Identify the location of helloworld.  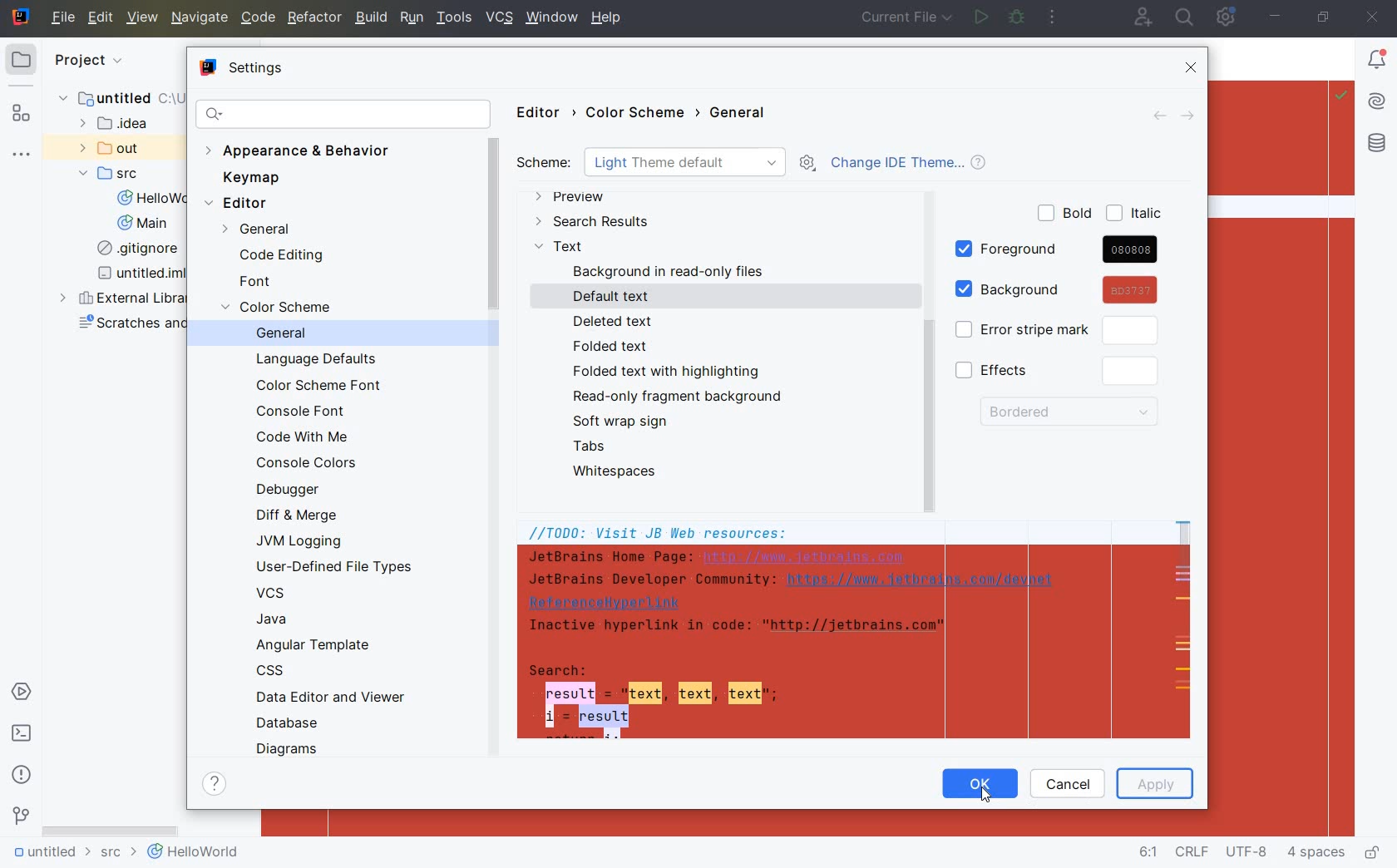
(193, 855).